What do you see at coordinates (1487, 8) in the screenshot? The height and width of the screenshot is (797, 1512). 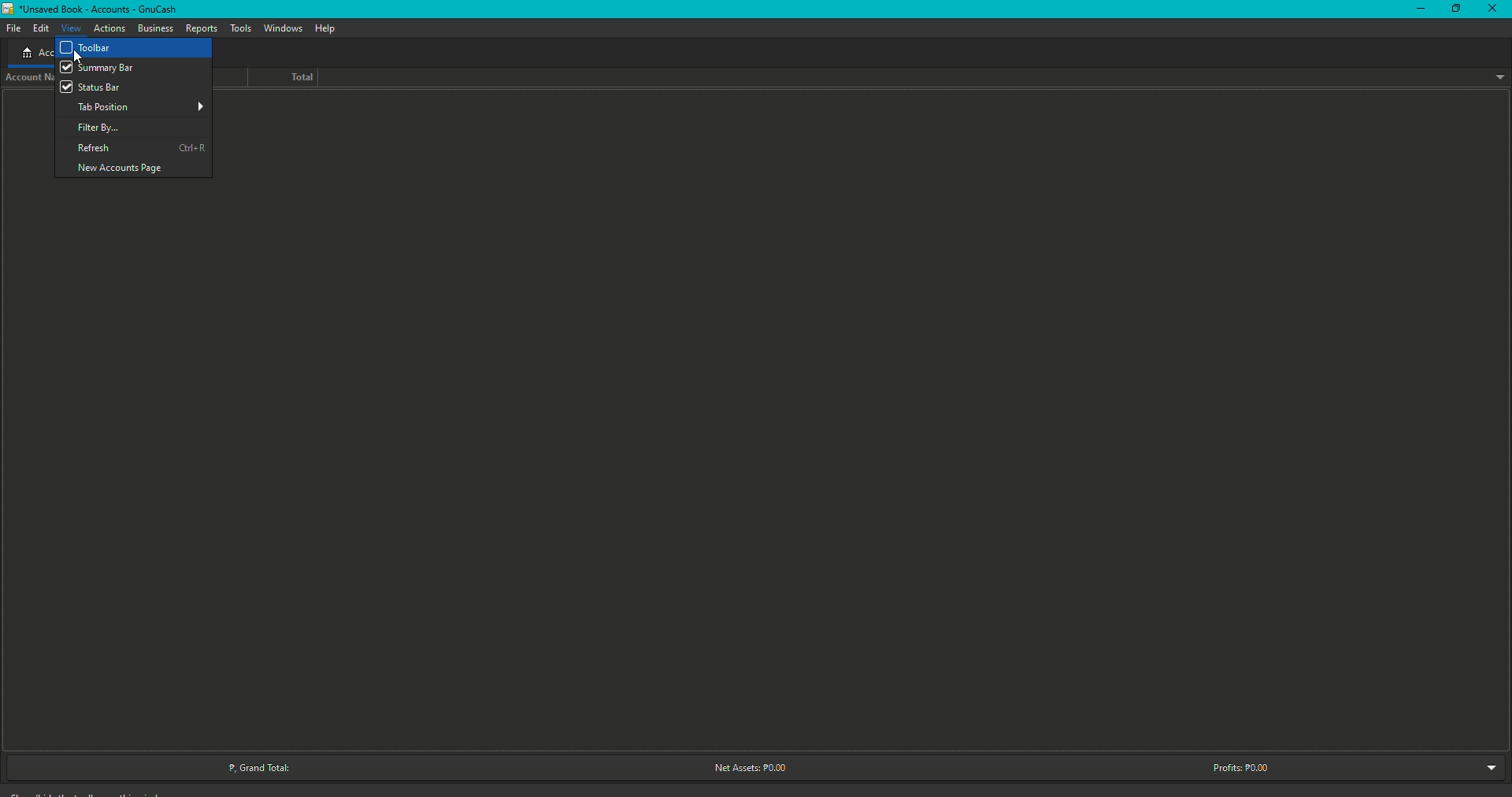 I see `Close` at bounding box center [1487, 8].